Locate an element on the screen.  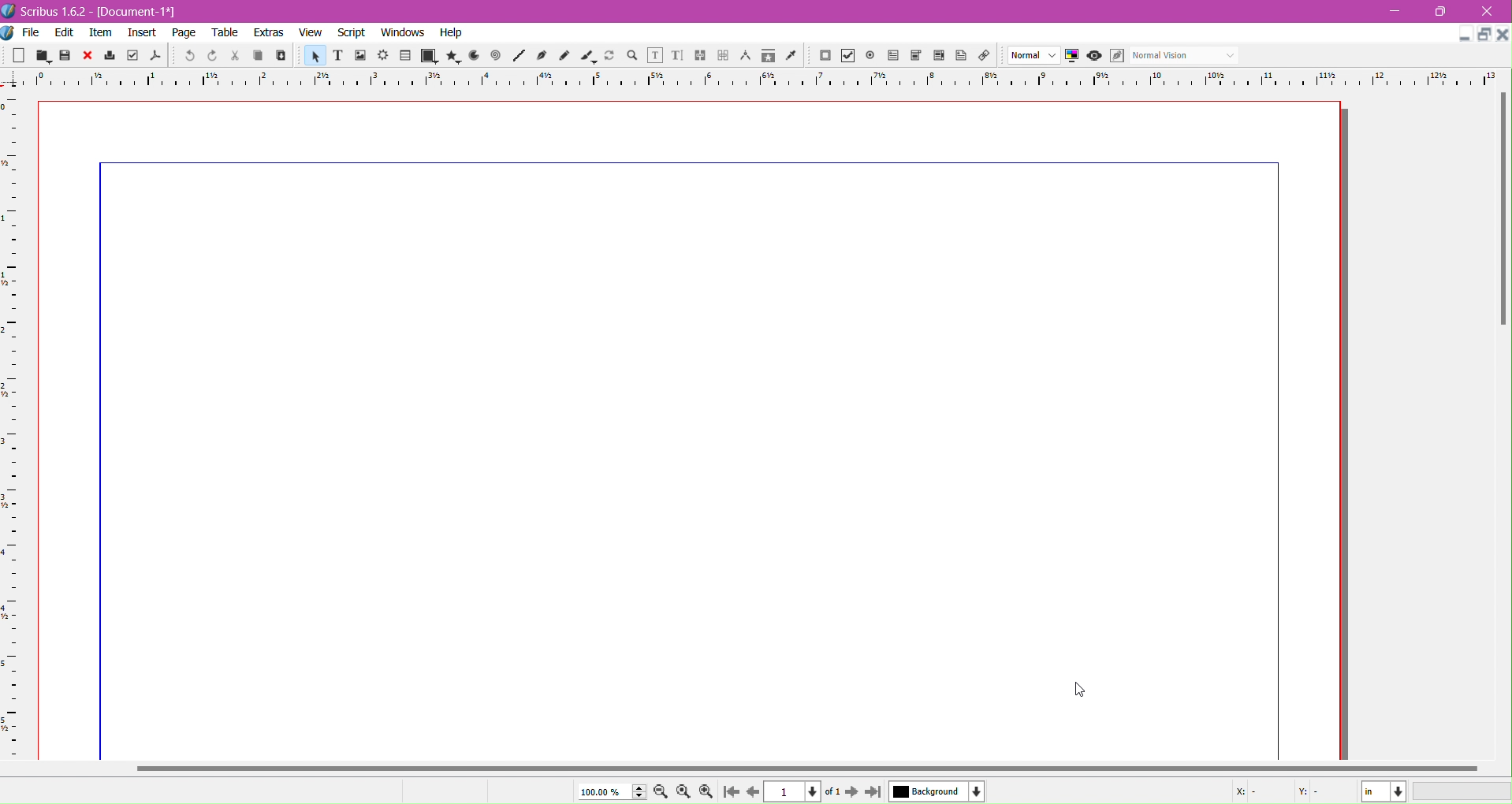
visual appearance of the display is located at coordinates (1183, 56).